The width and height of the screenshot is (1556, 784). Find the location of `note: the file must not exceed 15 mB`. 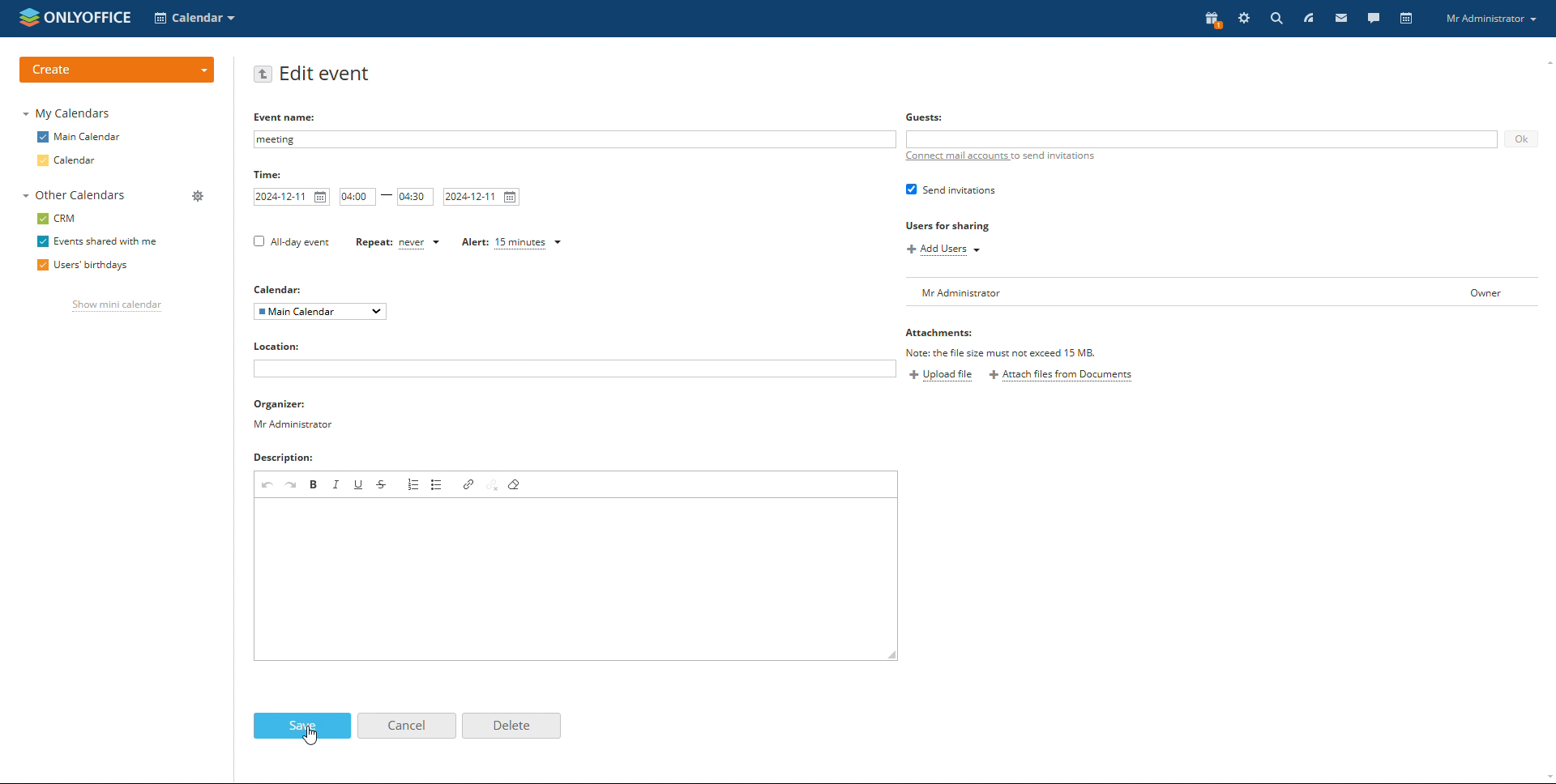

note: the file must not exceed 15 mB is located at coordinates (1006, 352).